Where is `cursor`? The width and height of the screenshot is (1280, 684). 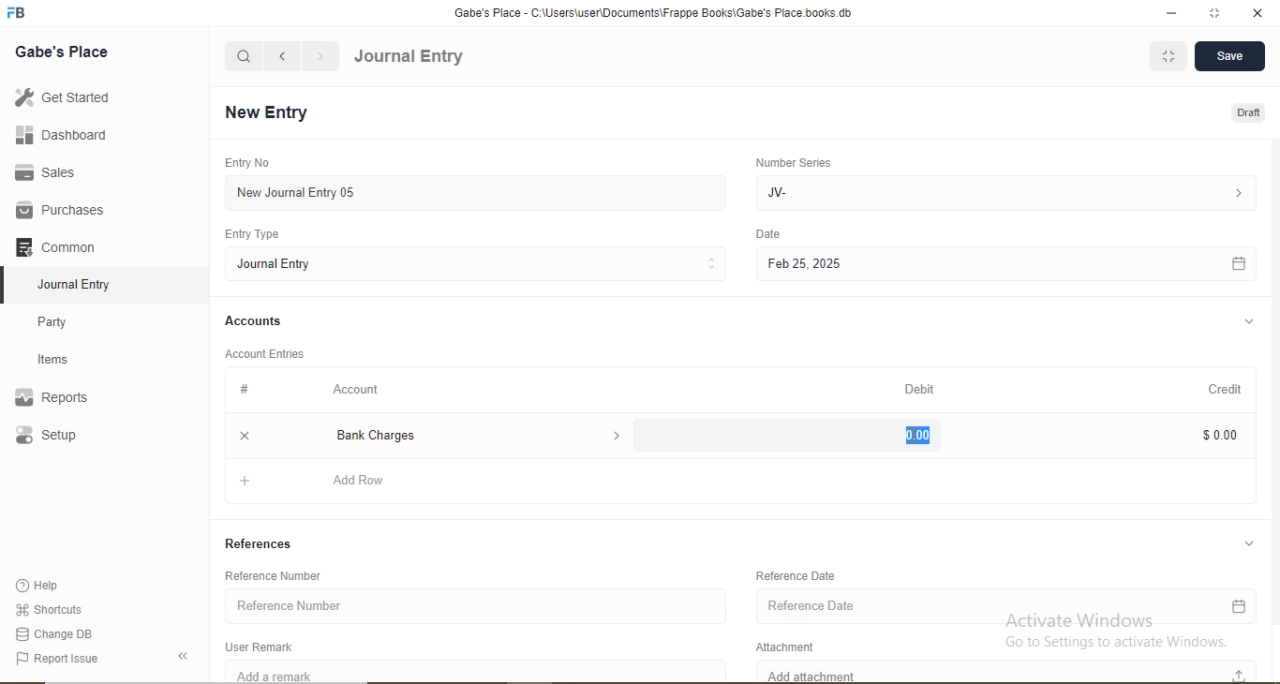
cursor is located at coordinates (916, 437).